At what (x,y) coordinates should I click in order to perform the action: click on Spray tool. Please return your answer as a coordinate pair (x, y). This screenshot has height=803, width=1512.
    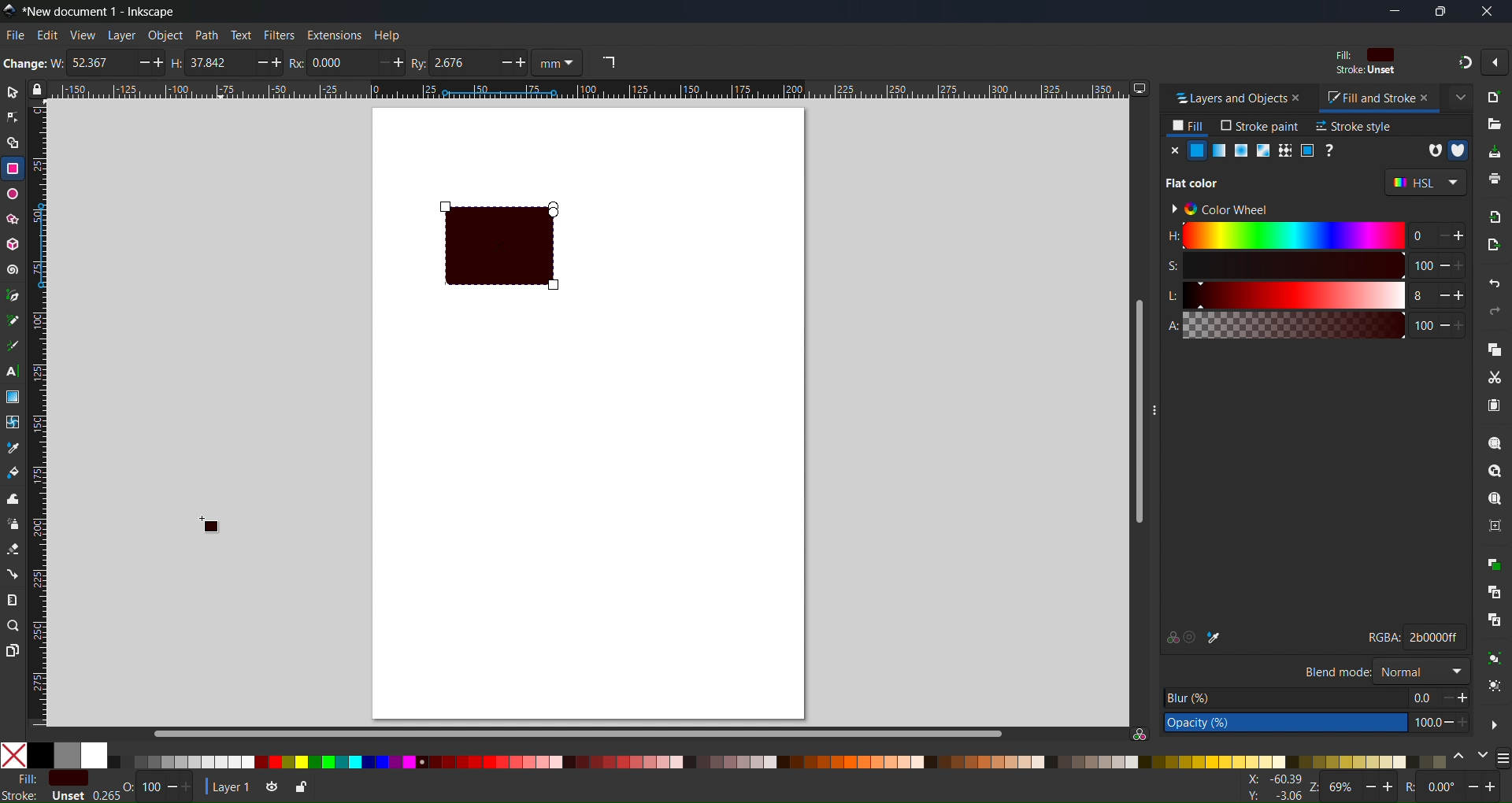
    Looking at the image, I should click on (13, 524).